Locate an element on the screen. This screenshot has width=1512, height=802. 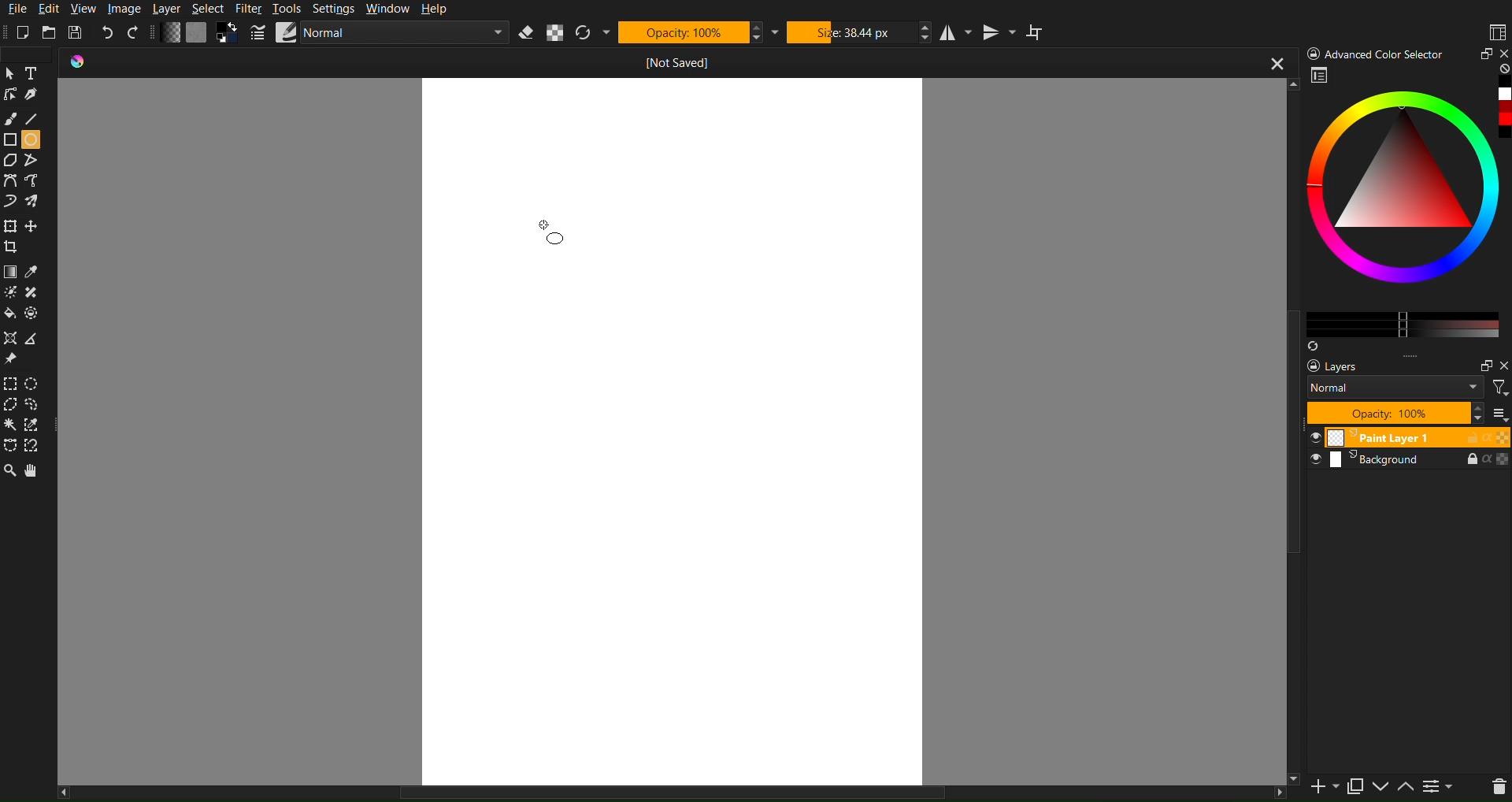
Curve is located at coordinates (9, 201).